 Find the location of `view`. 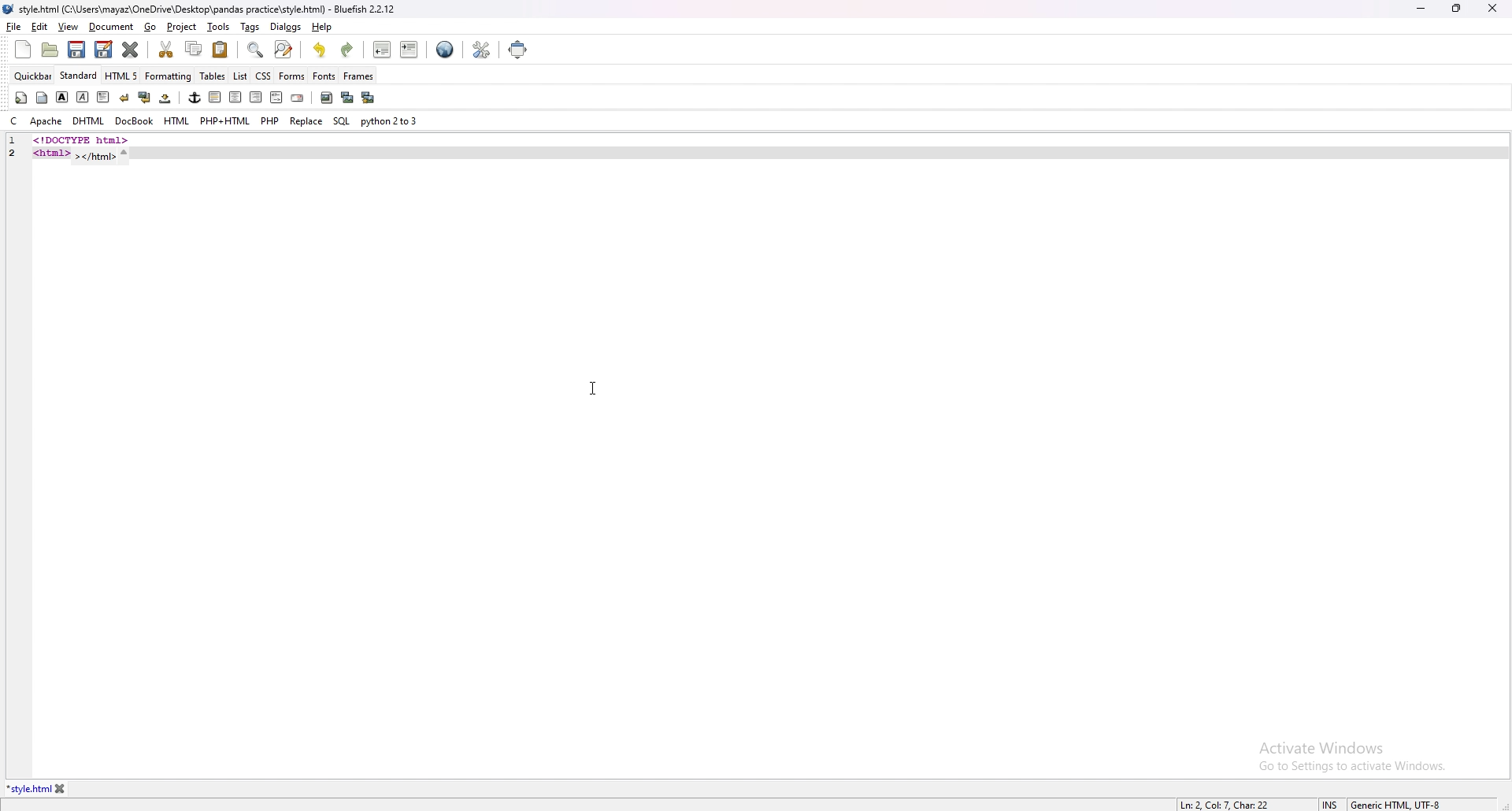

view is located at coordinates (68, 27).